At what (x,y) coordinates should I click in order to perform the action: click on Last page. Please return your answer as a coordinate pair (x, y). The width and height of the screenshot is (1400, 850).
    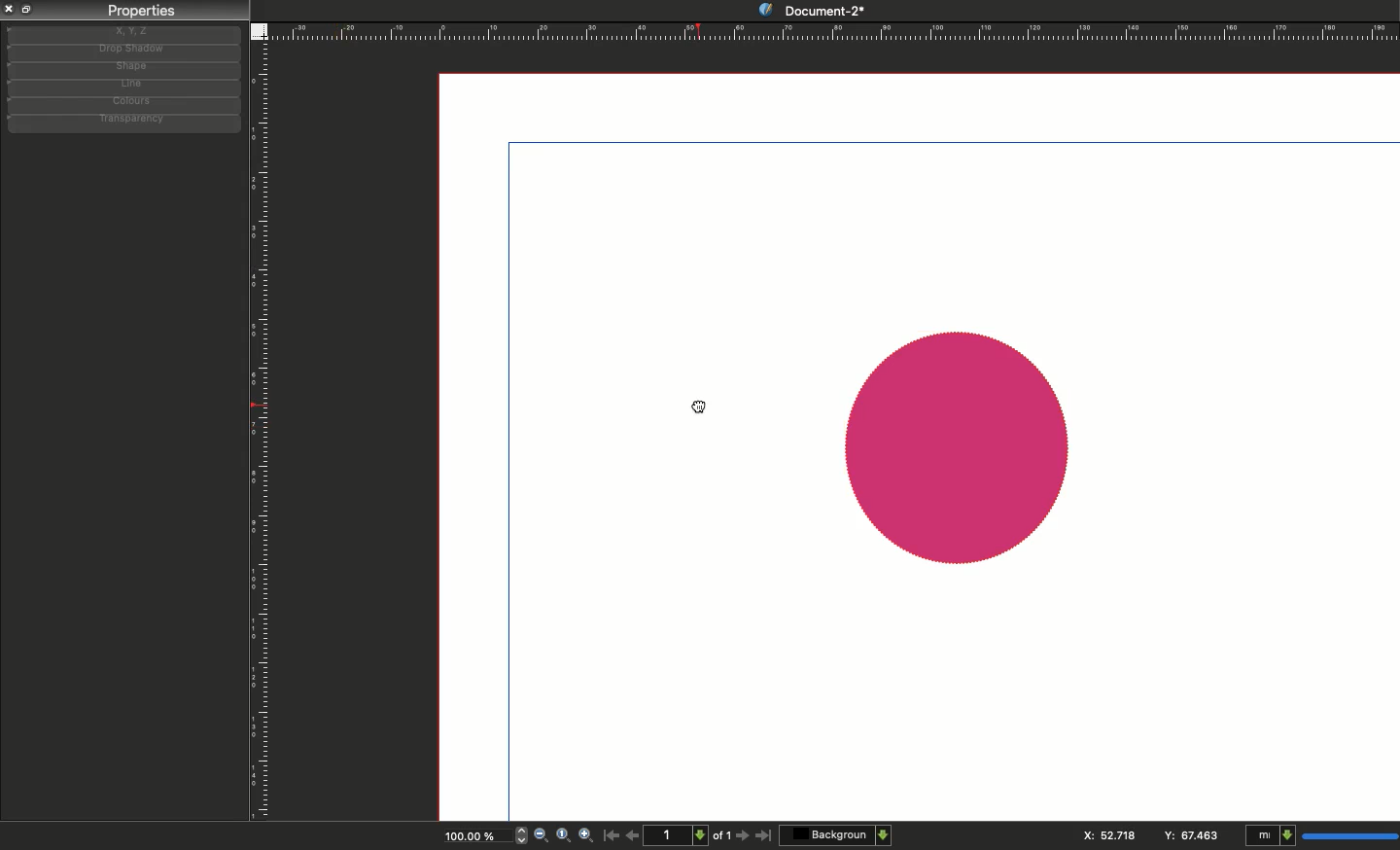
    Looking at the image, I should click on (764, 836).